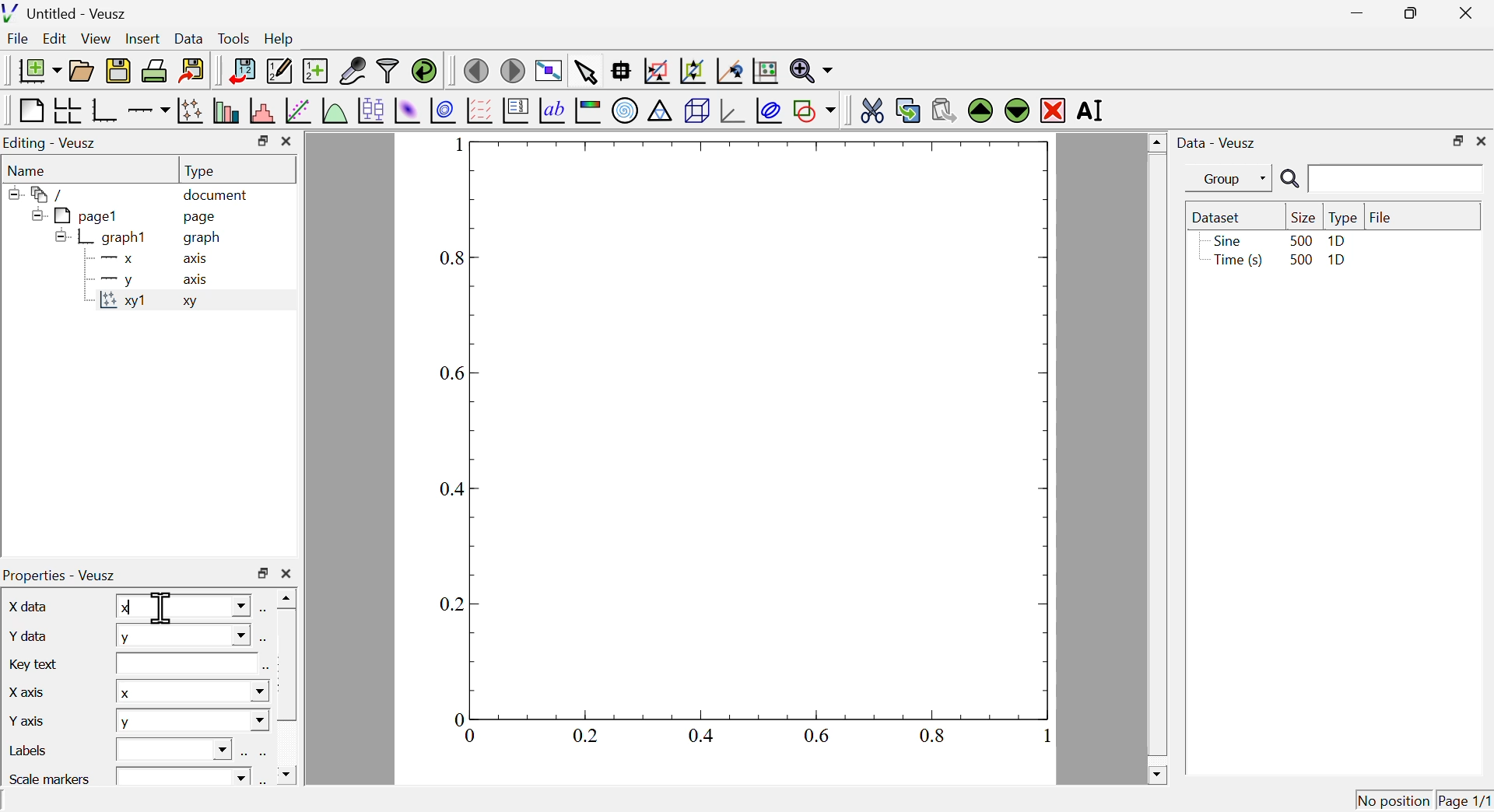 The height and width of the screenshot is (812, 1494). I want to click on graph, so click(202, 238).